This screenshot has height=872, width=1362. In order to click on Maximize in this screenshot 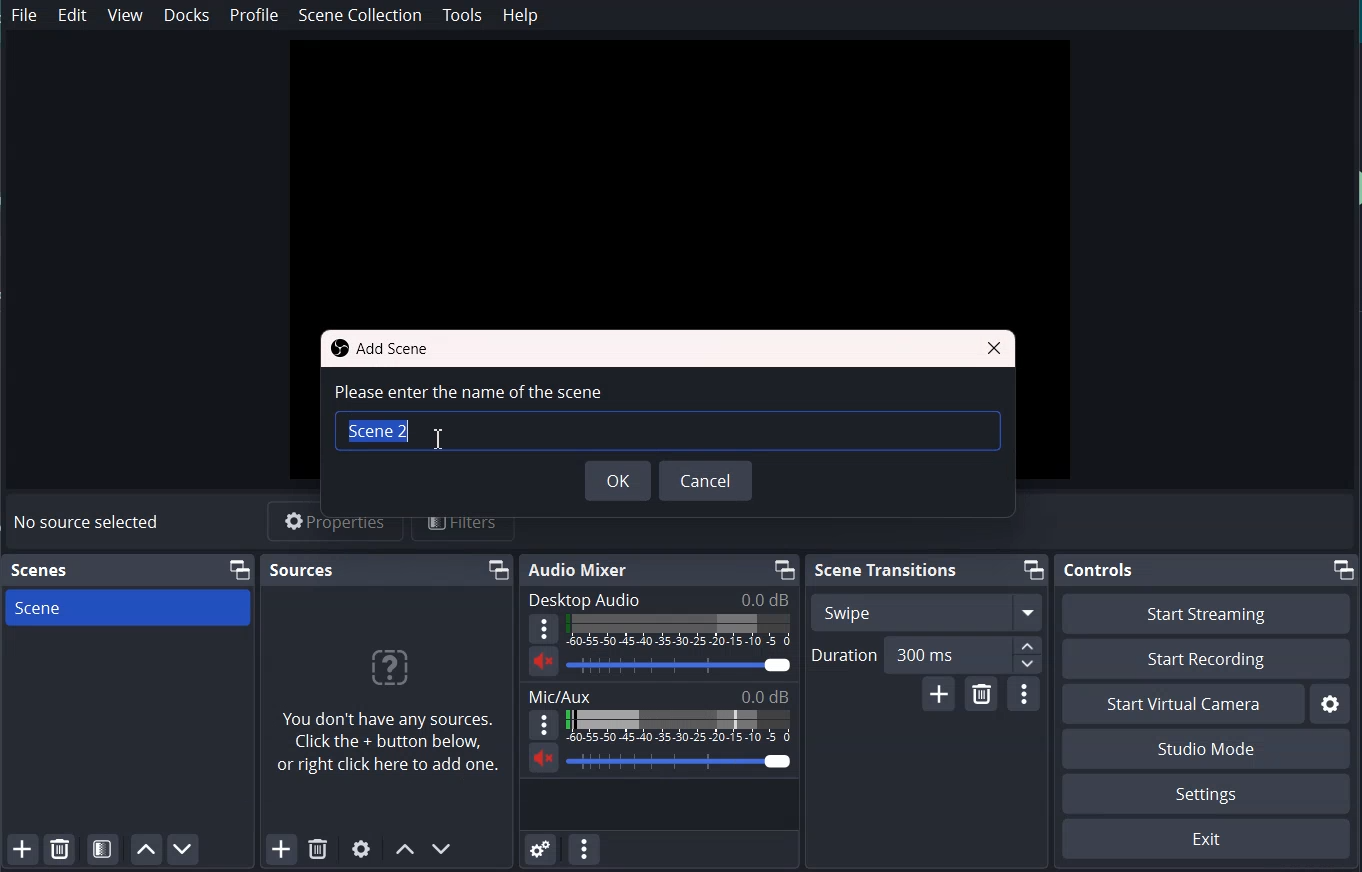, I will do `click(783, 569)`.